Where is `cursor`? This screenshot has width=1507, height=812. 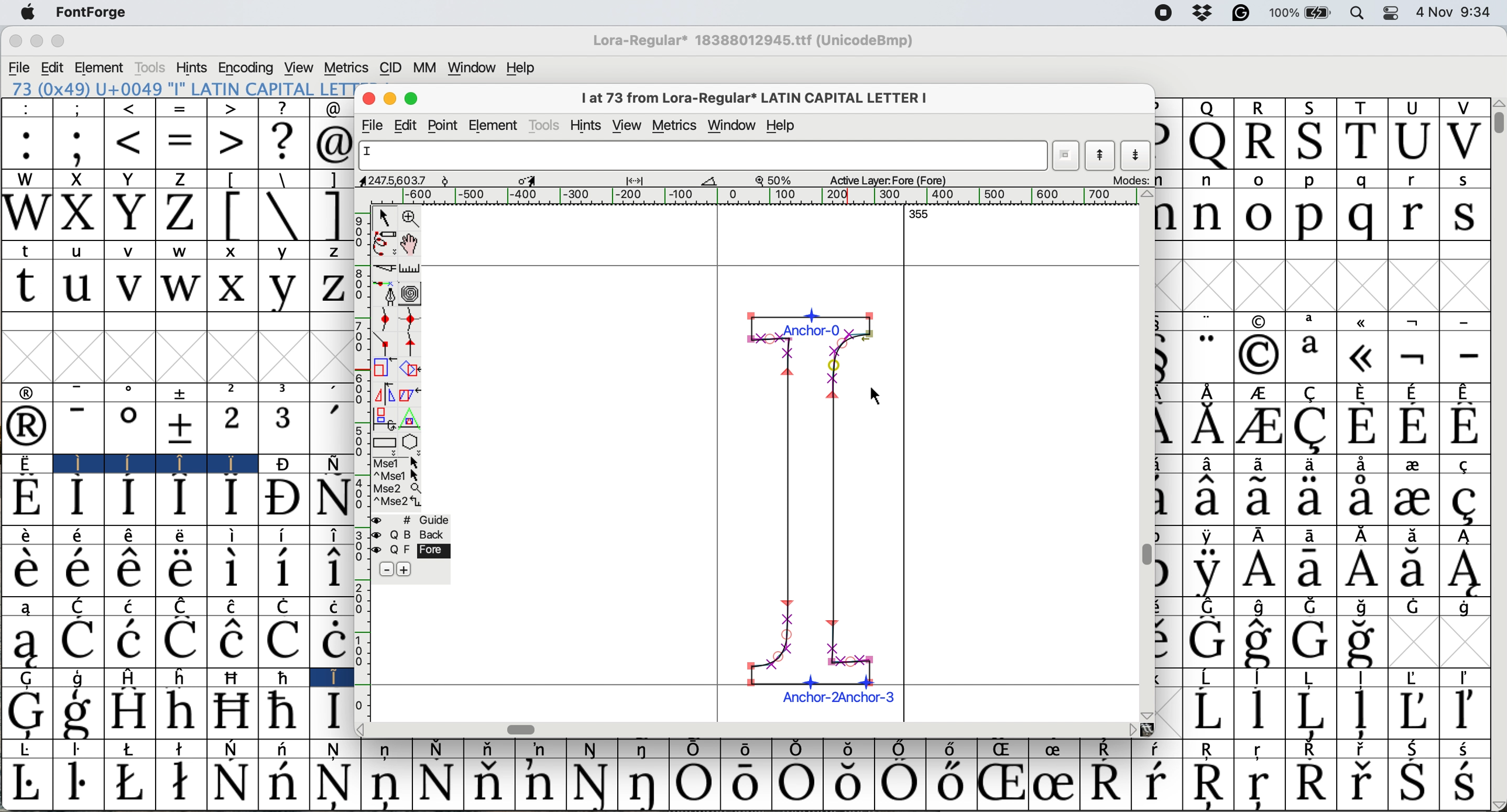
cursor is located at coordinates (882, 397).